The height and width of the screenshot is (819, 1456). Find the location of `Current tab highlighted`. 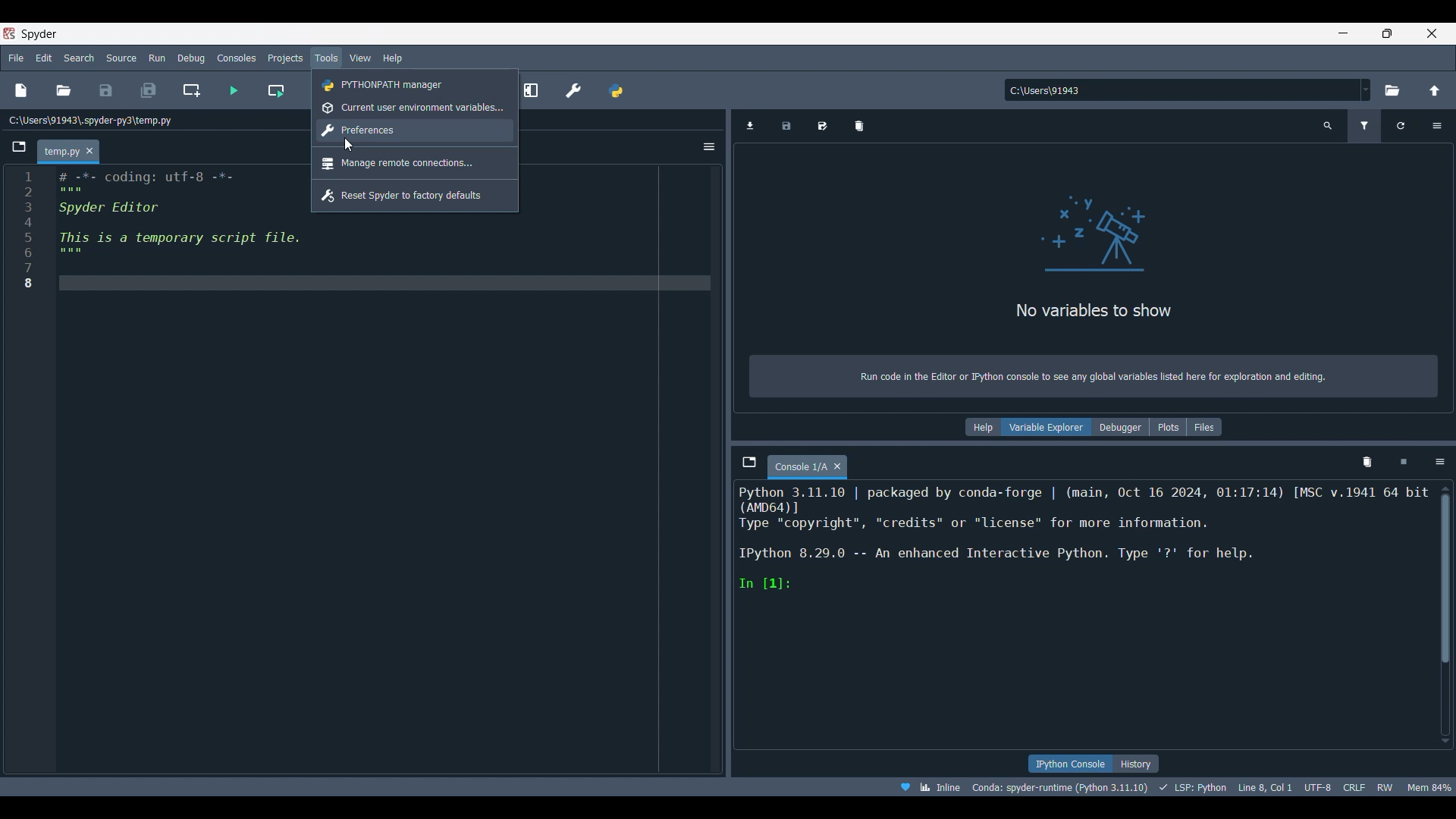

Current tab highlighted is located at coordinates (58, 152).